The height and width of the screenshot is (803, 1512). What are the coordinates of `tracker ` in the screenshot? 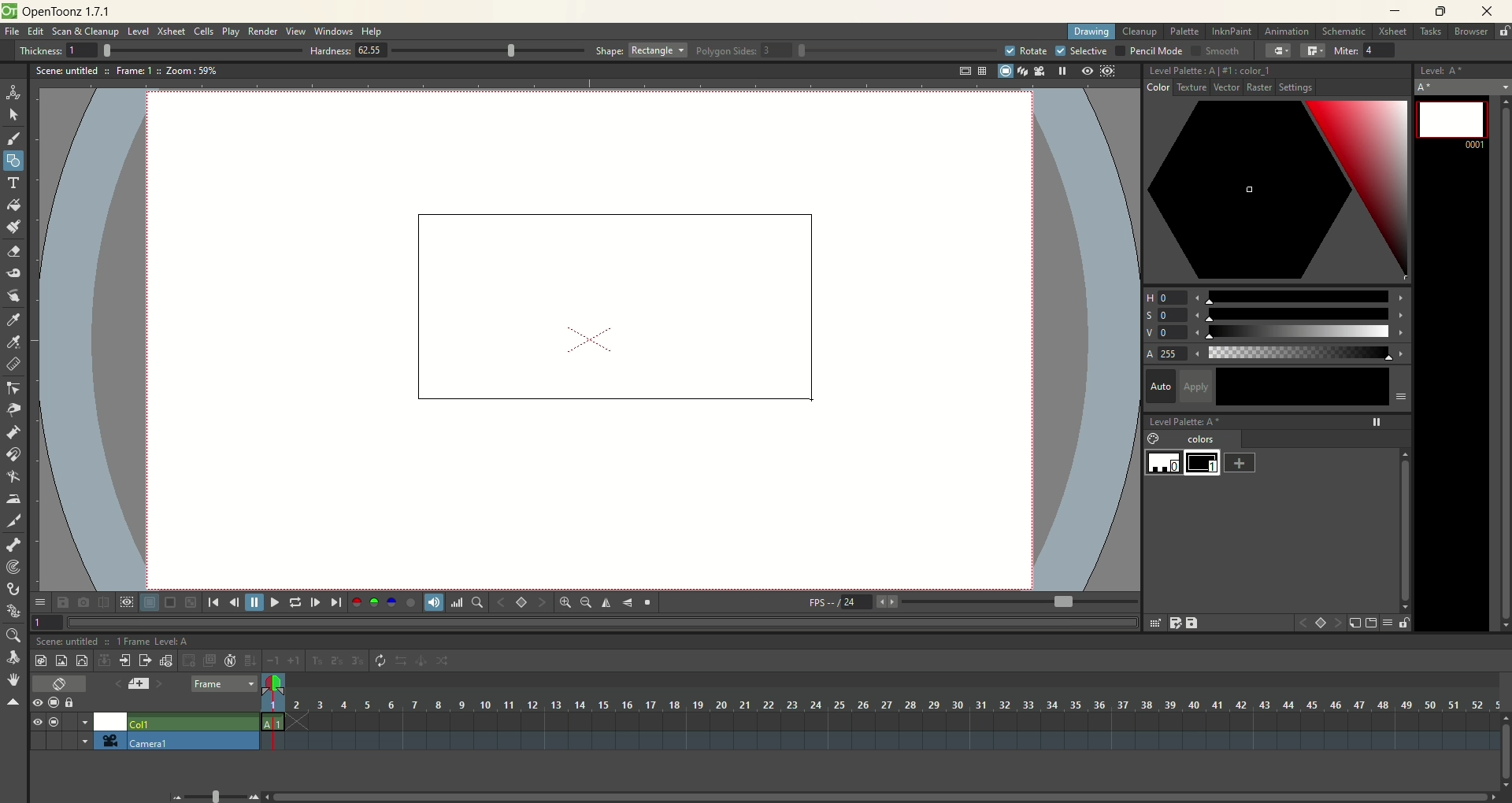 It's located at (13, 568).